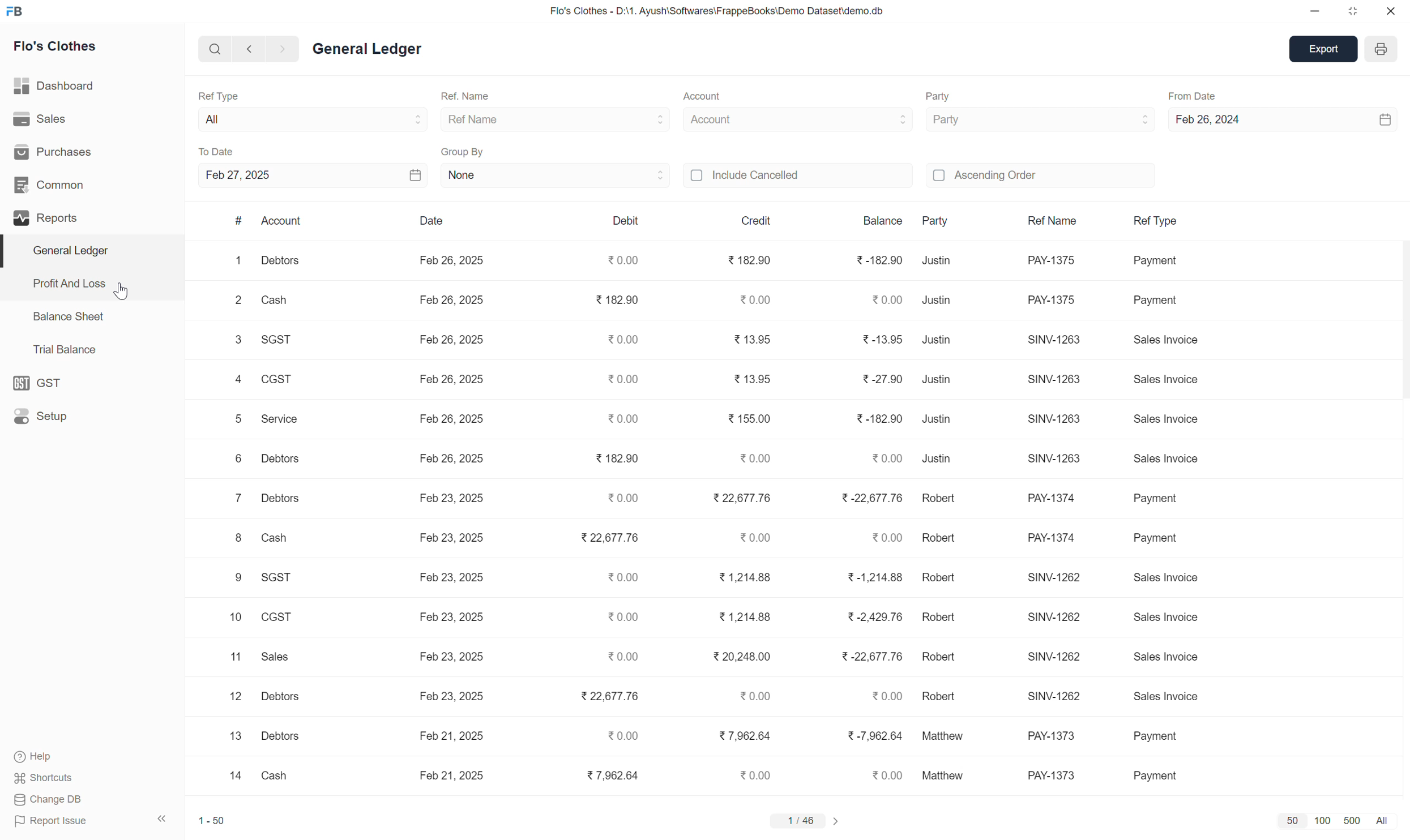  Describe the element at coordinates (54, 220) in the screenshot. I see `Reports` at that location.